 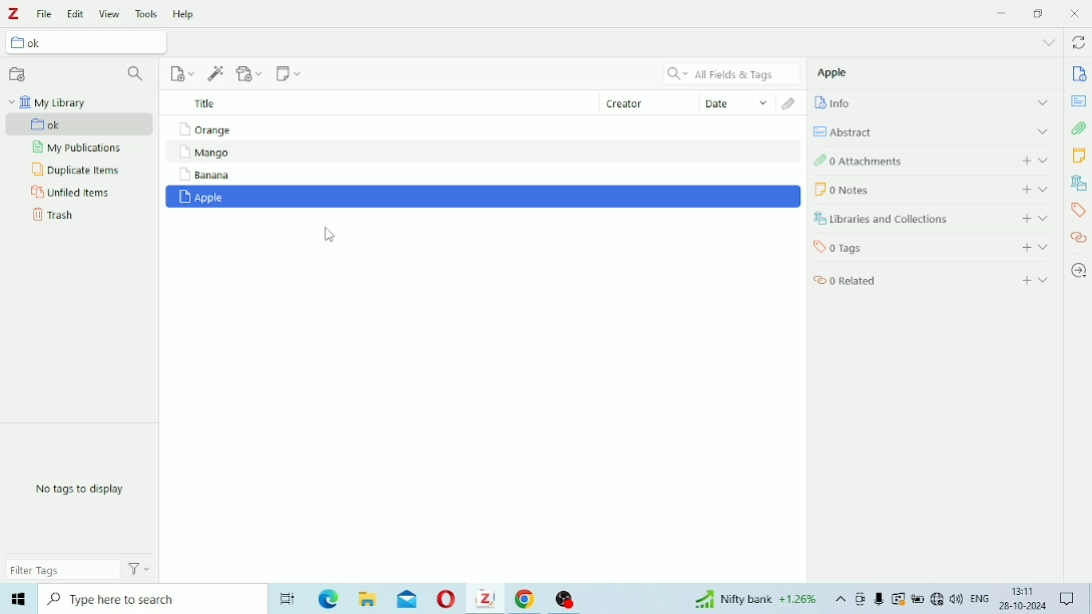 What do you see at coordinates (1025, 278) in the screenshot?
I see `add` at bounding box center [1025, 278].